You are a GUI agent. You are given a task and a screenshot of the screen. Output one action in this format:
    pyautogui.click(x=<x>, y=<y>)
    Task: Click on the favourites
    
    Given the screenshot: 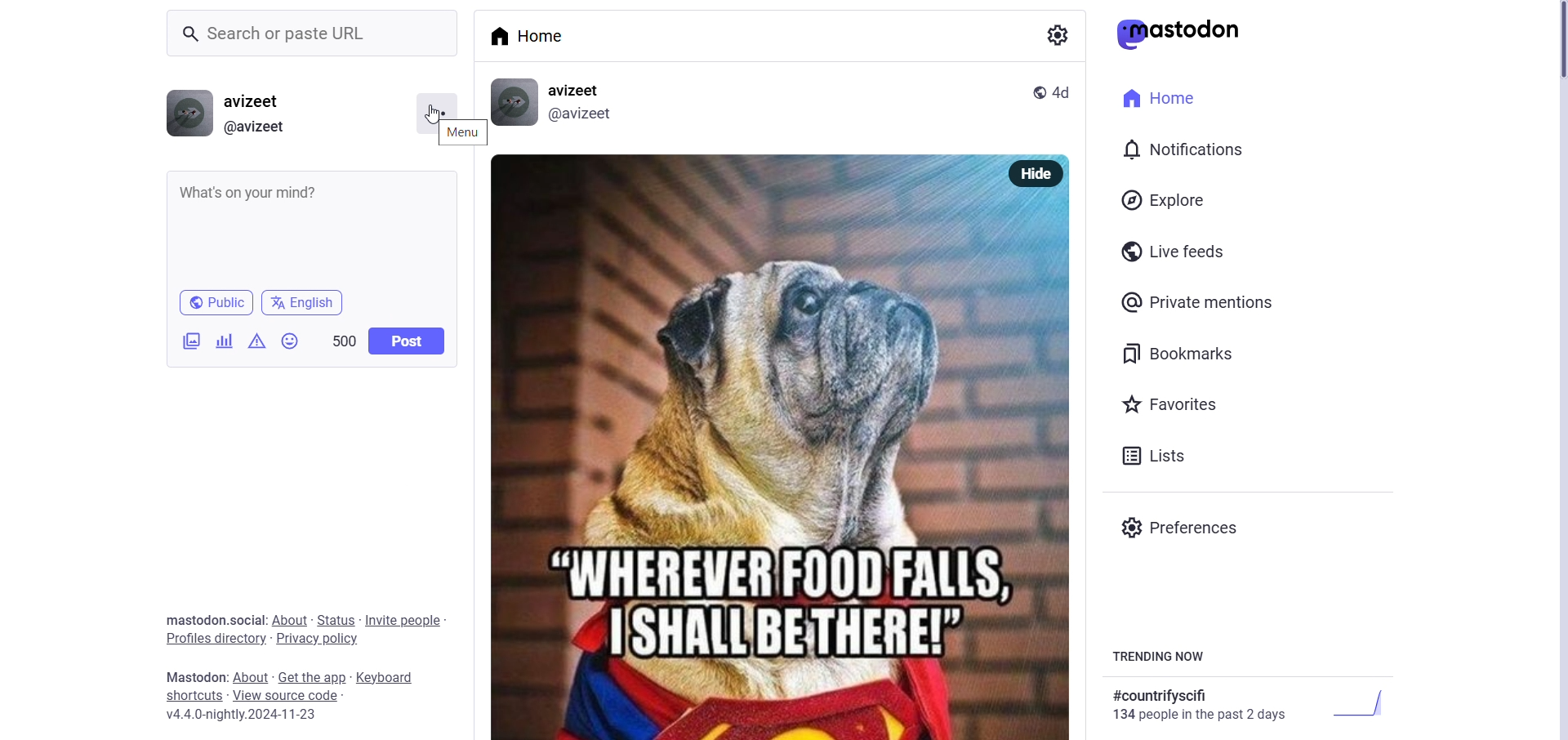 What is the action you would take?
    pyautogui.click(x=1170, y=401)
    